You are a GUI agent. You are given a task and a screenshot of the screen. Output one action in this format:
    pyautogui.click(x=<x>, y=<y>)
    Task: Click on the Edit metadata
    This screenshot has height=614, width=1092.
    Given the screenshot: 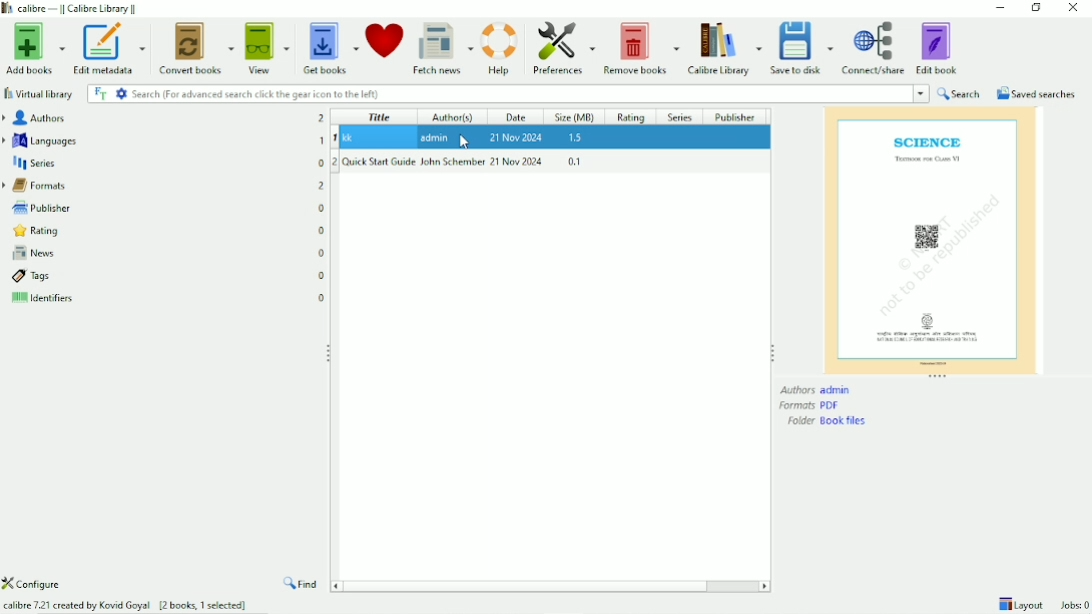 What is the action you would take?
    pyautogui.click(x=110, y=49)
    